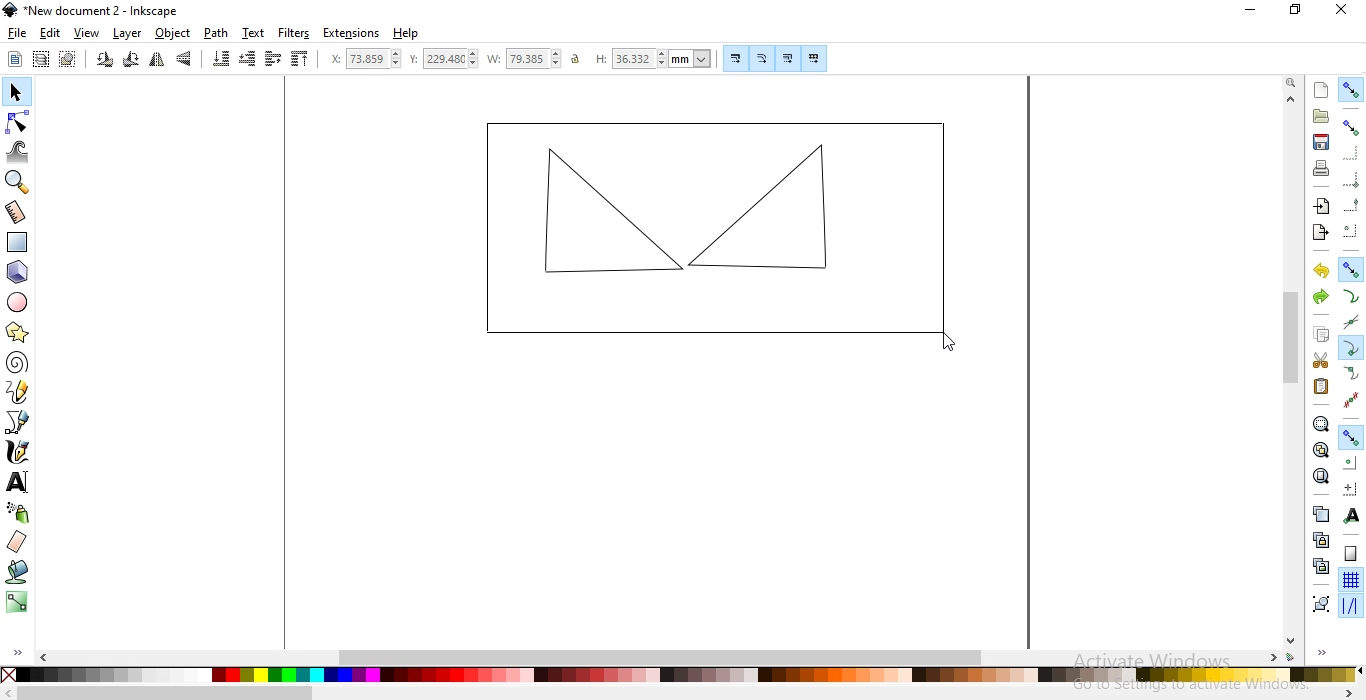  I want to click on snap to grids, so click(1351, 580).